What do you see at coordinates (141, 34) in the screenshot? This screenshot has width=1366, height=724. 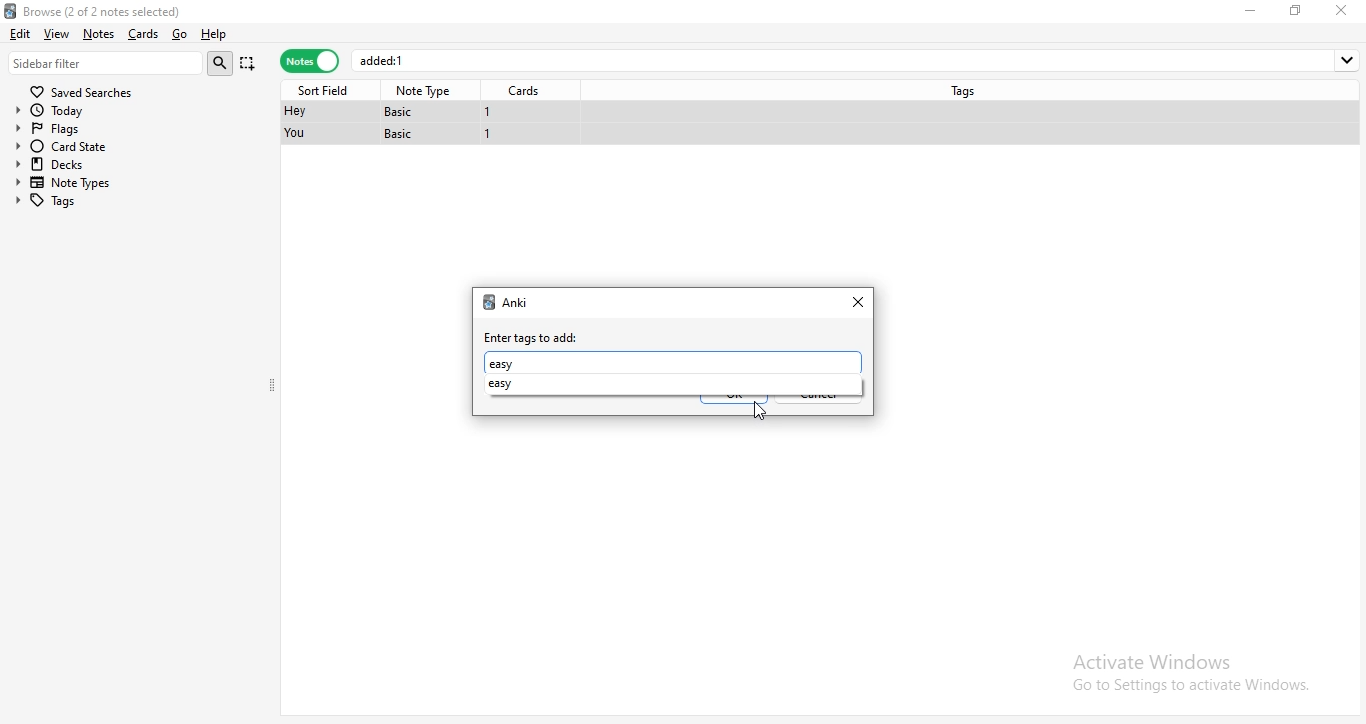 I see `cards` at bounding box center [141, 34].